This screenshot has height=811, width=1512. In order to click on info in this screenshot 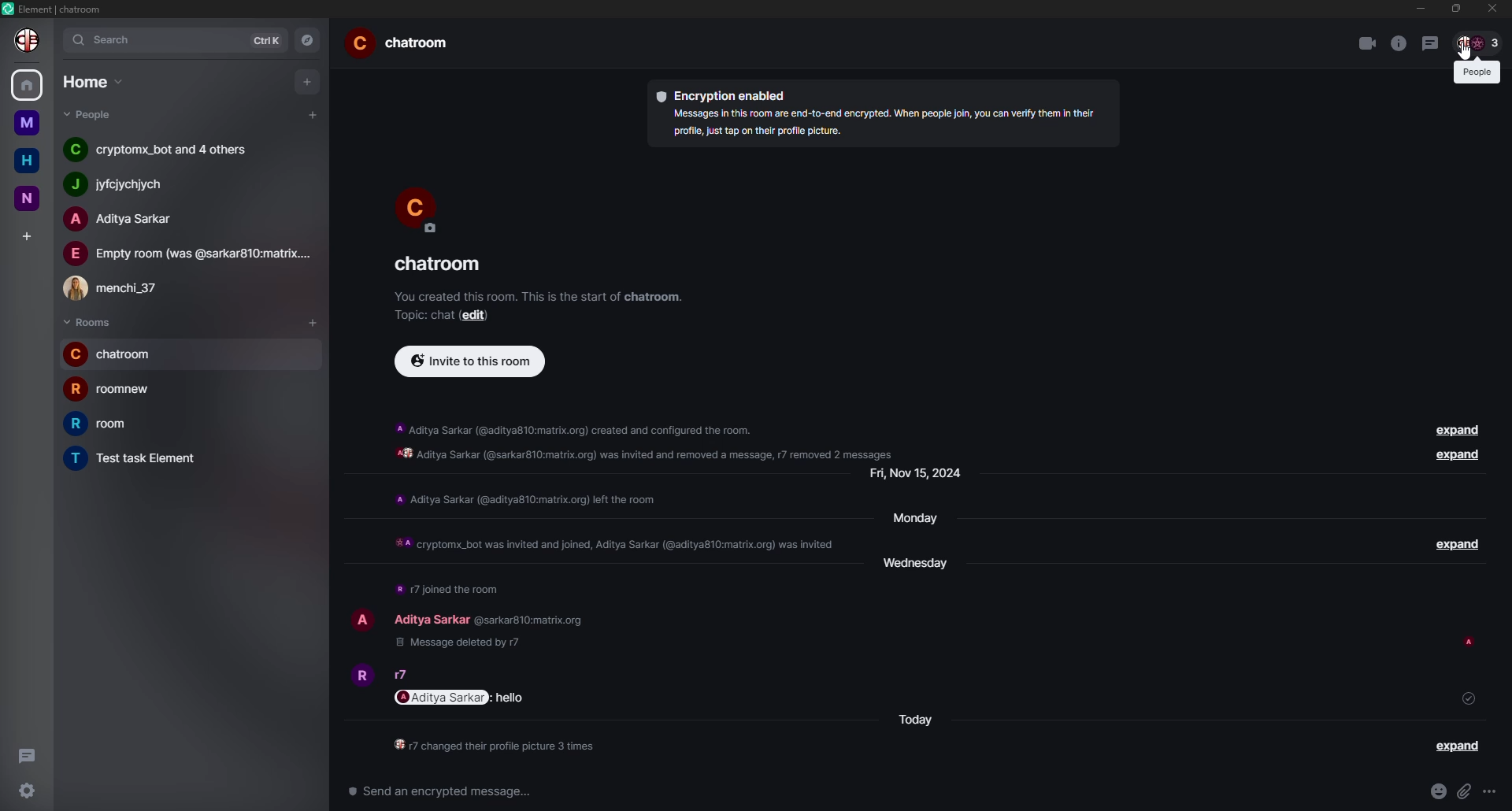, I will do `click(496, 747)`.